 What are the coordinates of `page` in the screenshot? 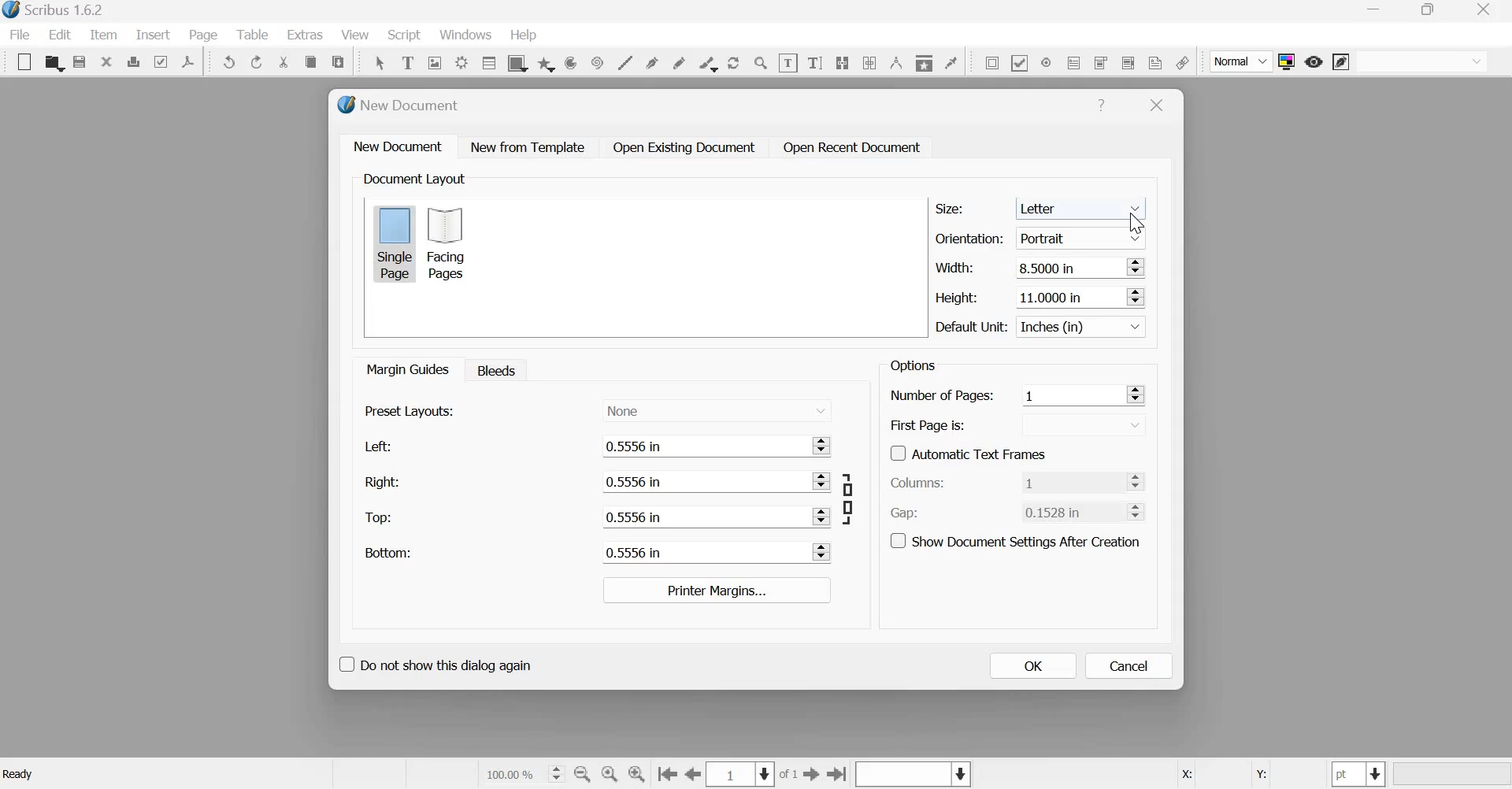 It's located at (204, 35).